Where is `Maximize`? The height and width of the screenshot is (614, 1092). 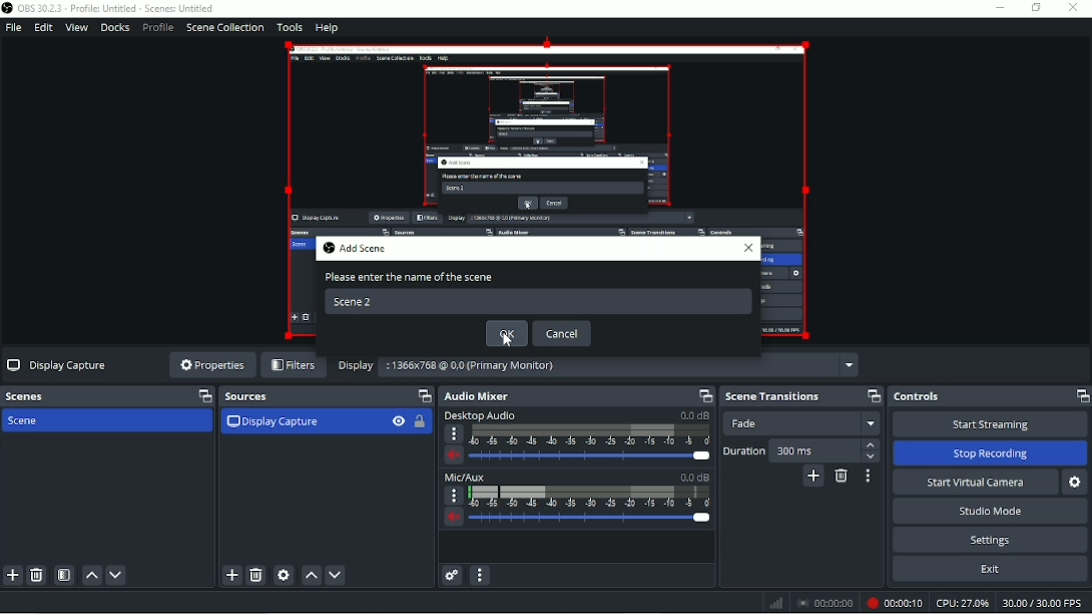 Maximize is located at coordinates (1081, 395).